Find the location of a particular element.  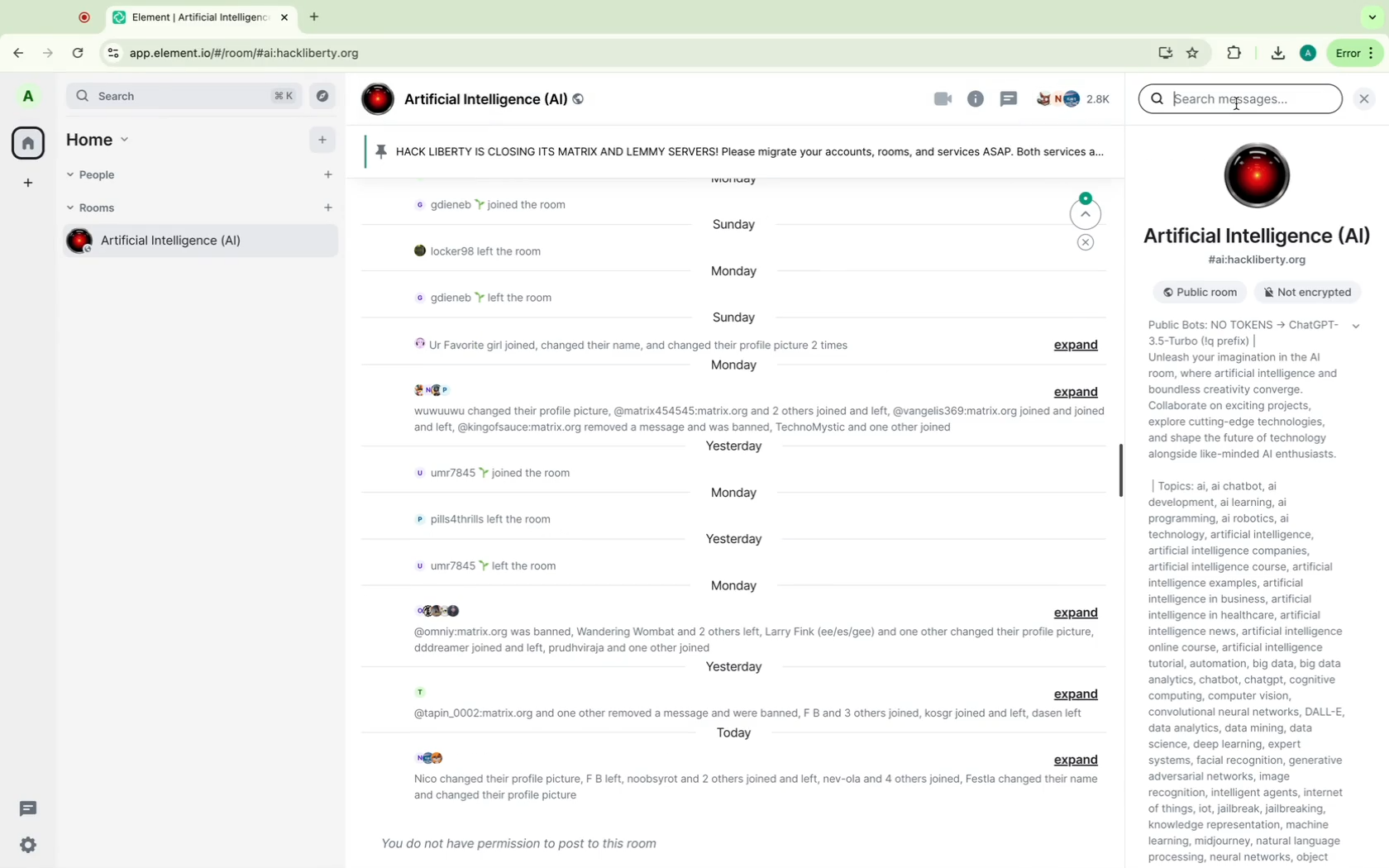

back is located at coordinates (24, 49).